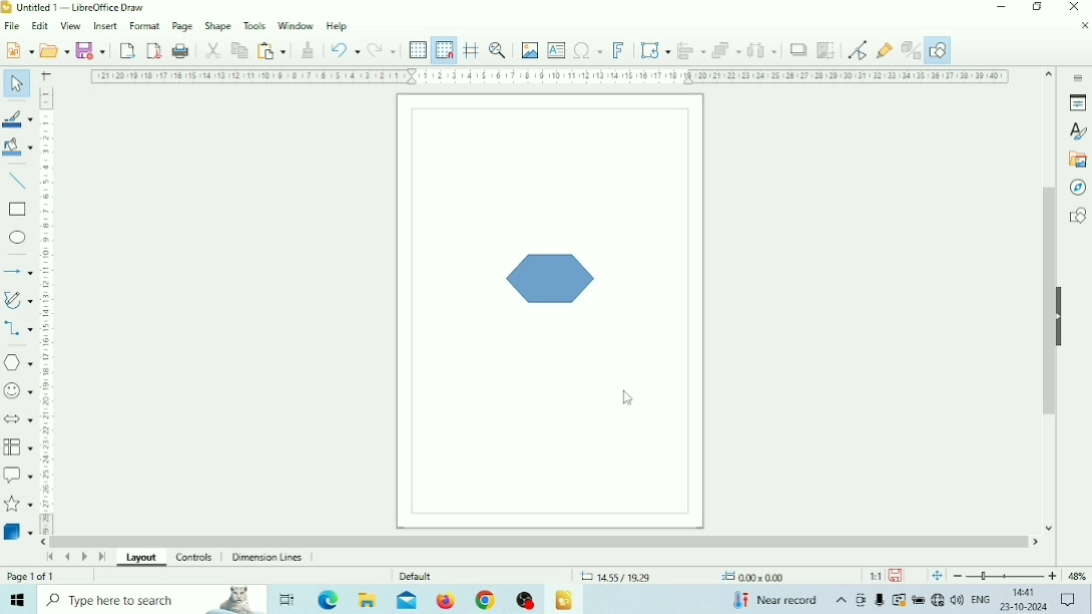  Describe the element at coordinates (1024, 607) in the screenshot. I see `Date` at that location.